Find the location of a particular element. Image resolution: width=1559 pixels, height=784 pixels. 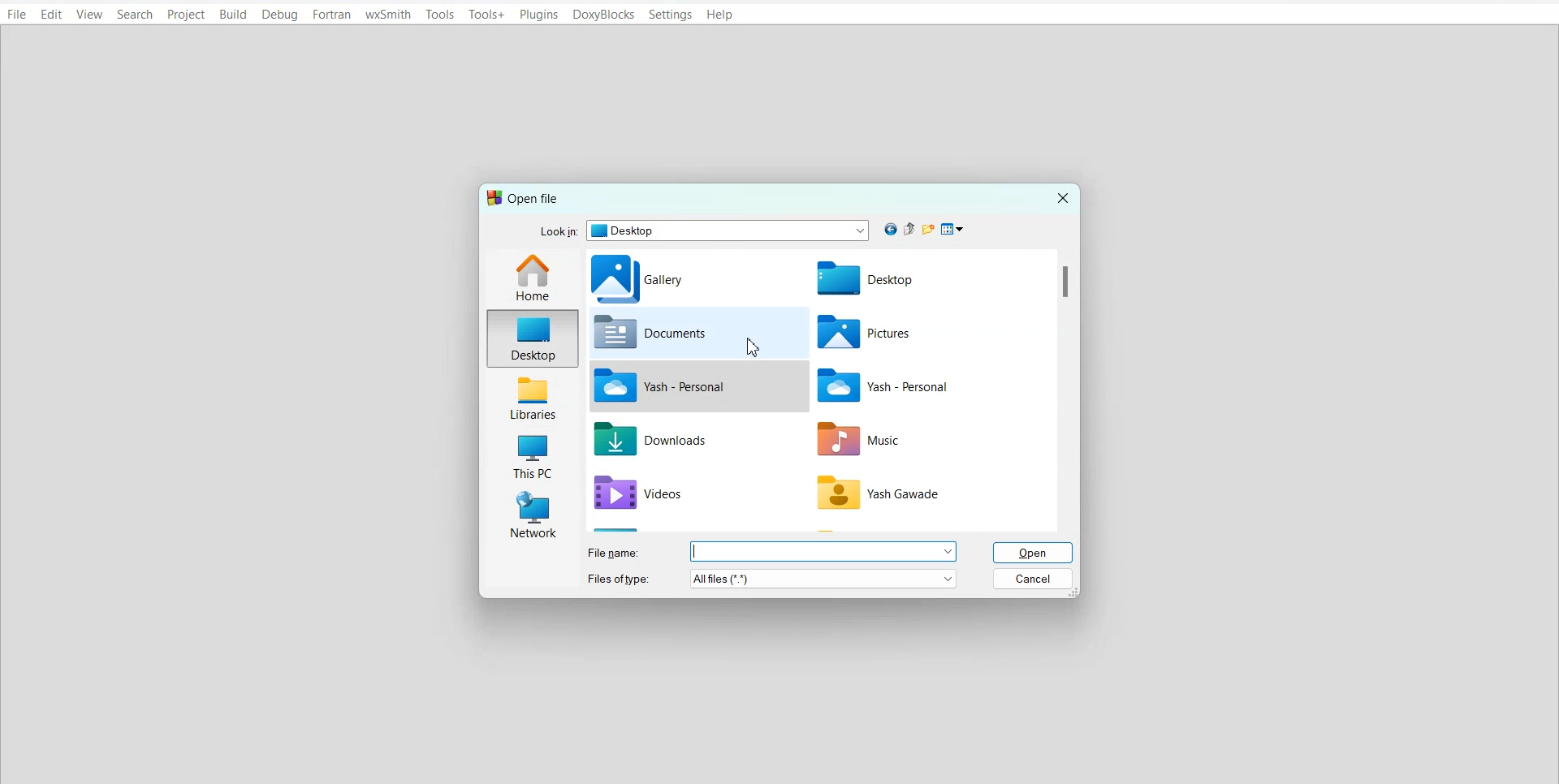

Plugins is located at coordinates (540, 15).